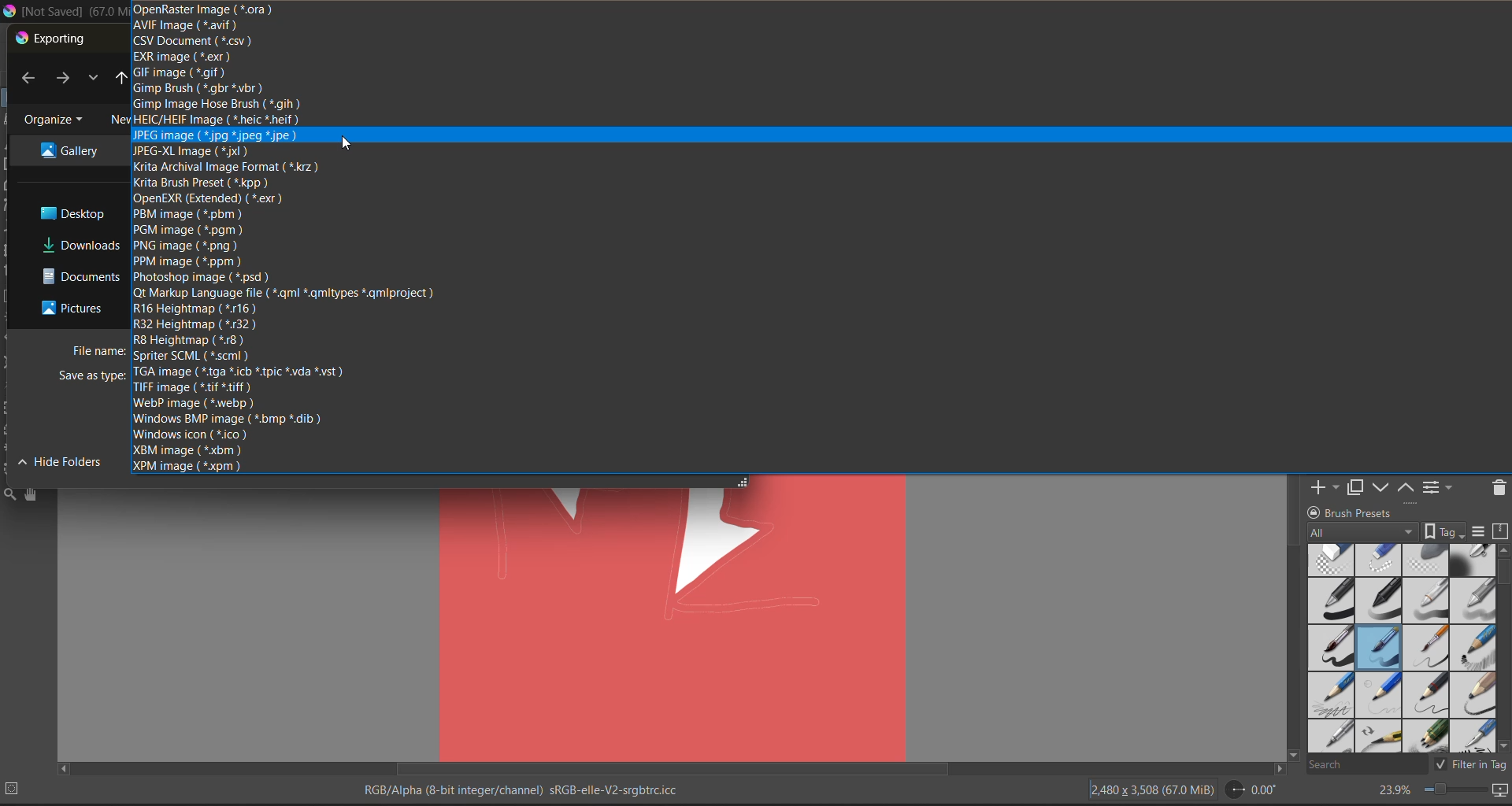  What do you see at coordinates (228, 419) in the screenshot?
I see `windows bmp` at bounding box center [228, 419].